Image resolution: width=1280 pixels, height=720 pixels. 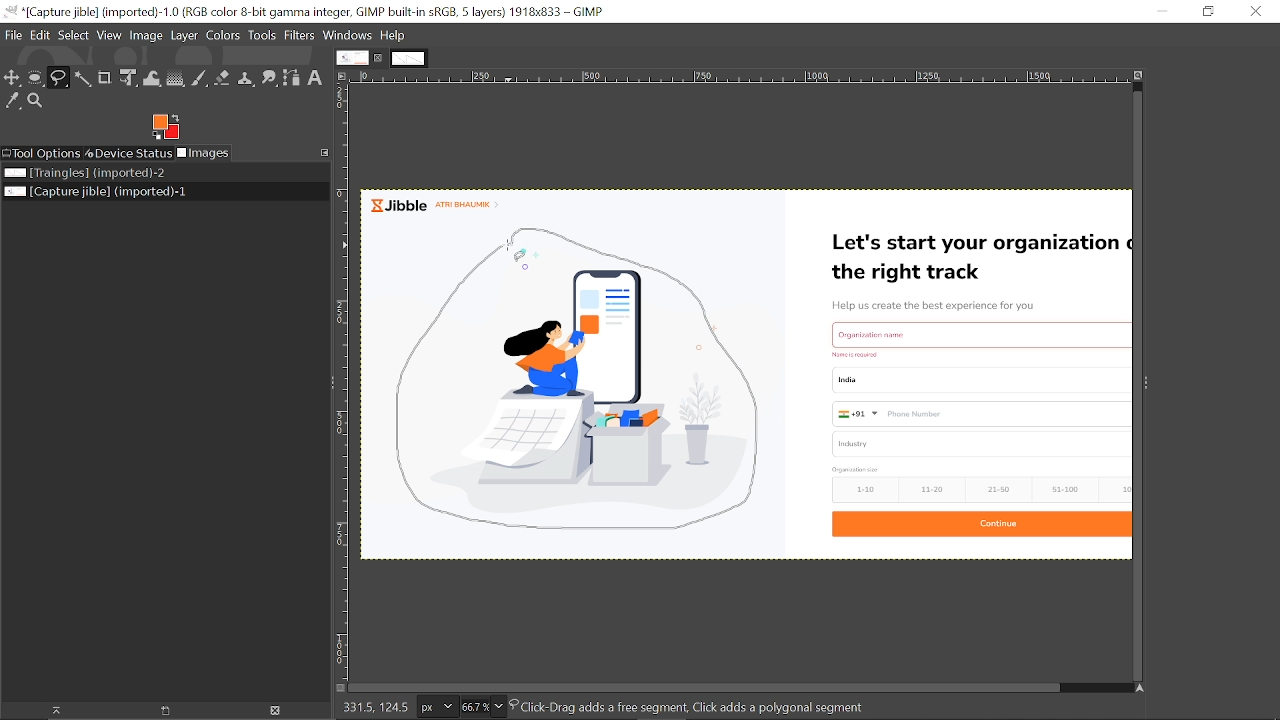 What do you see at coordinates (1207, 11) in the screenshot?
I see `Restore down` at bounding box center [1207, 11].